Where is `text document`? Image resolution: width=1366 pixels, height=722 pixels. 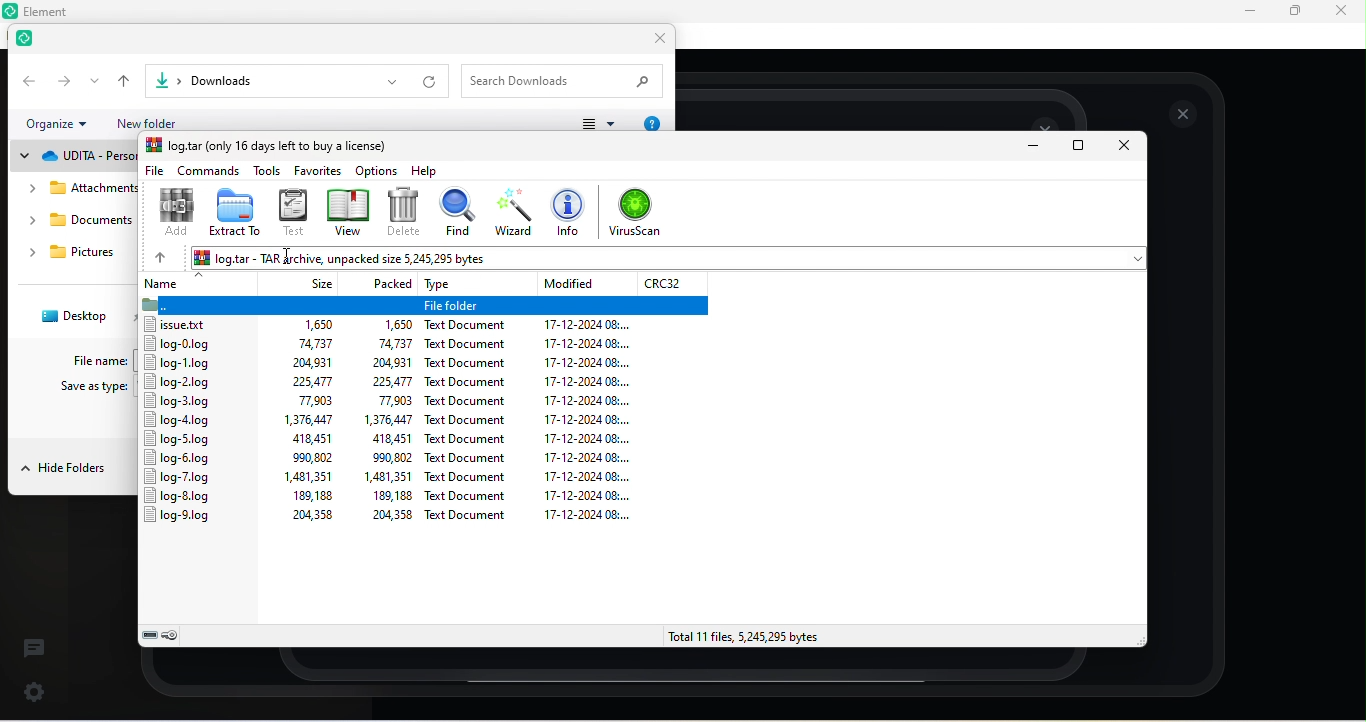 text document is located at coordinates (469, 363).